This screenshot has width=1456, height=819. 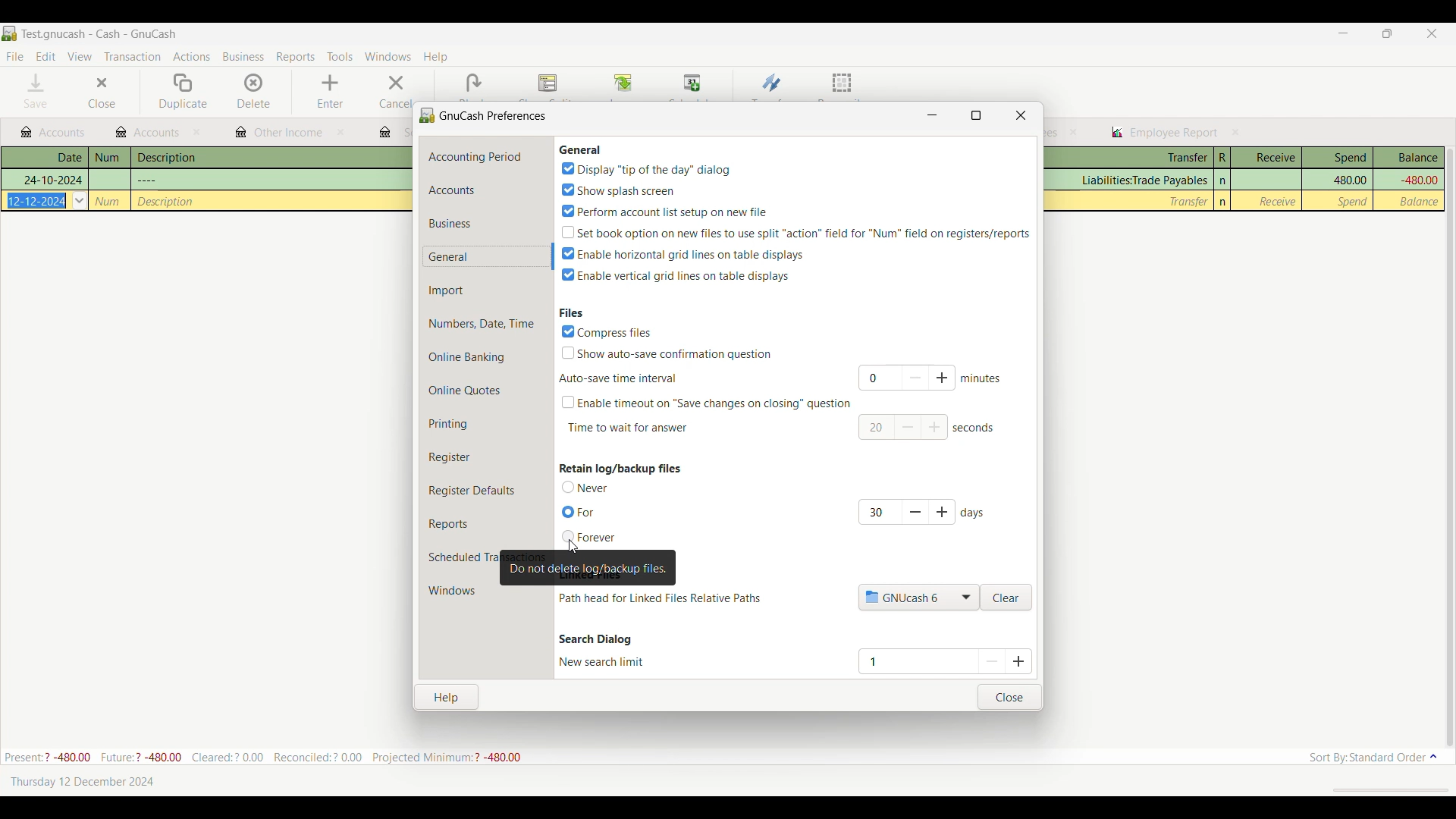 What do you see at coordinates (1223, 202) in the screenshot?
I see `n` at bounding box center [1223, 202].